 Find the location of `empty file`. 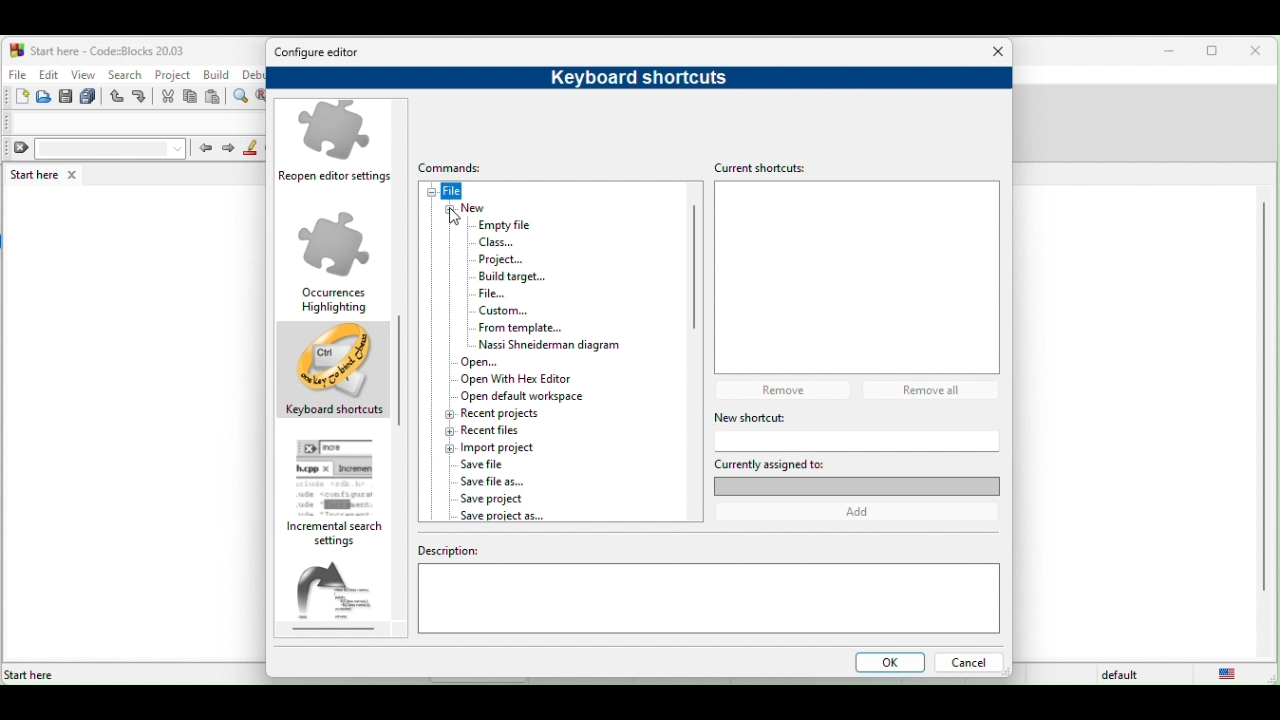

empty file is located at coordinates (501, 224).